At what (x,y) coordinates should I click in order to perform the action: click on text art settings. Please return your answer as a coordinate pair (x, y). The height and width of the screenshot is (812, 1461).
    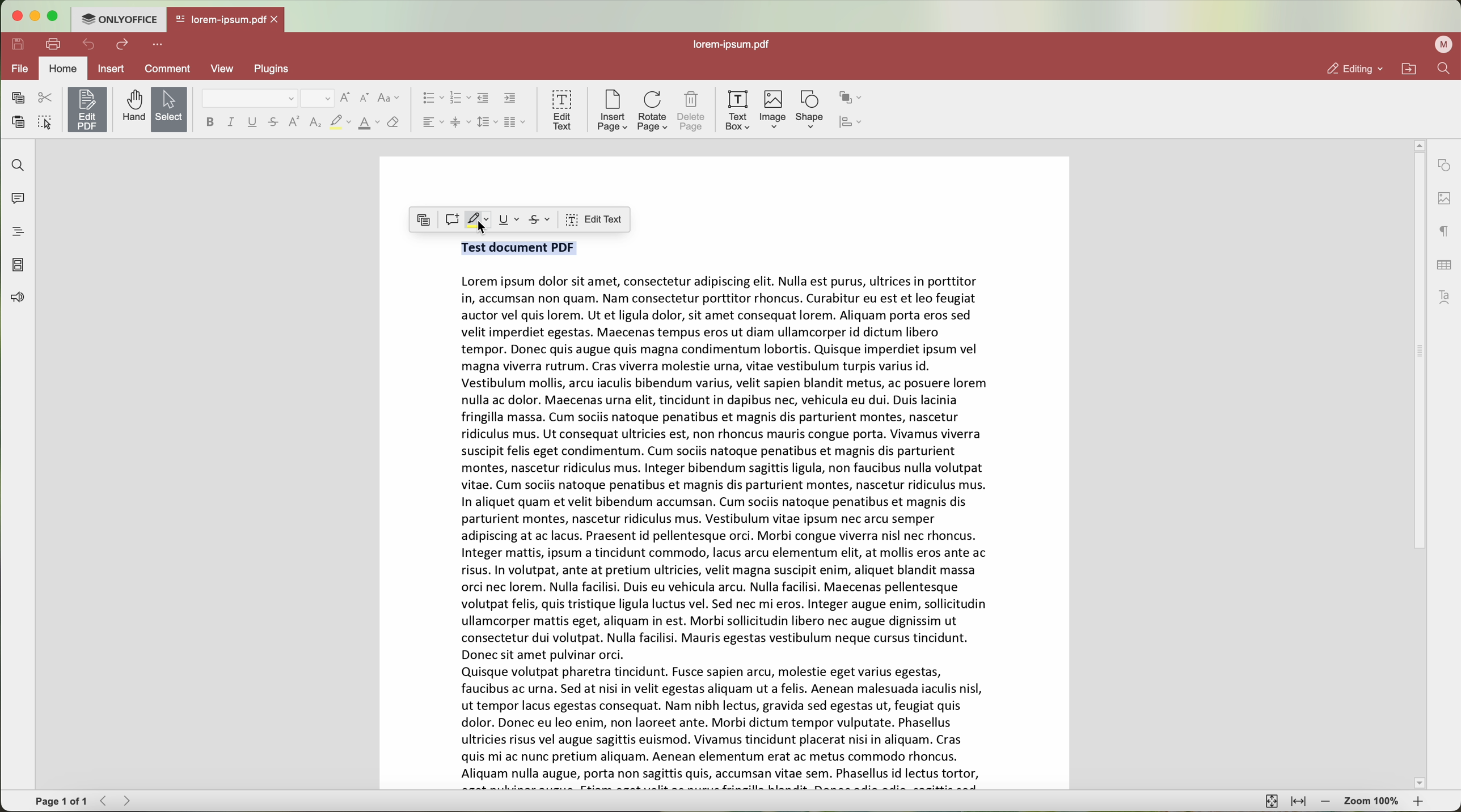
    Looking at the image, I should click on (1445, 298).